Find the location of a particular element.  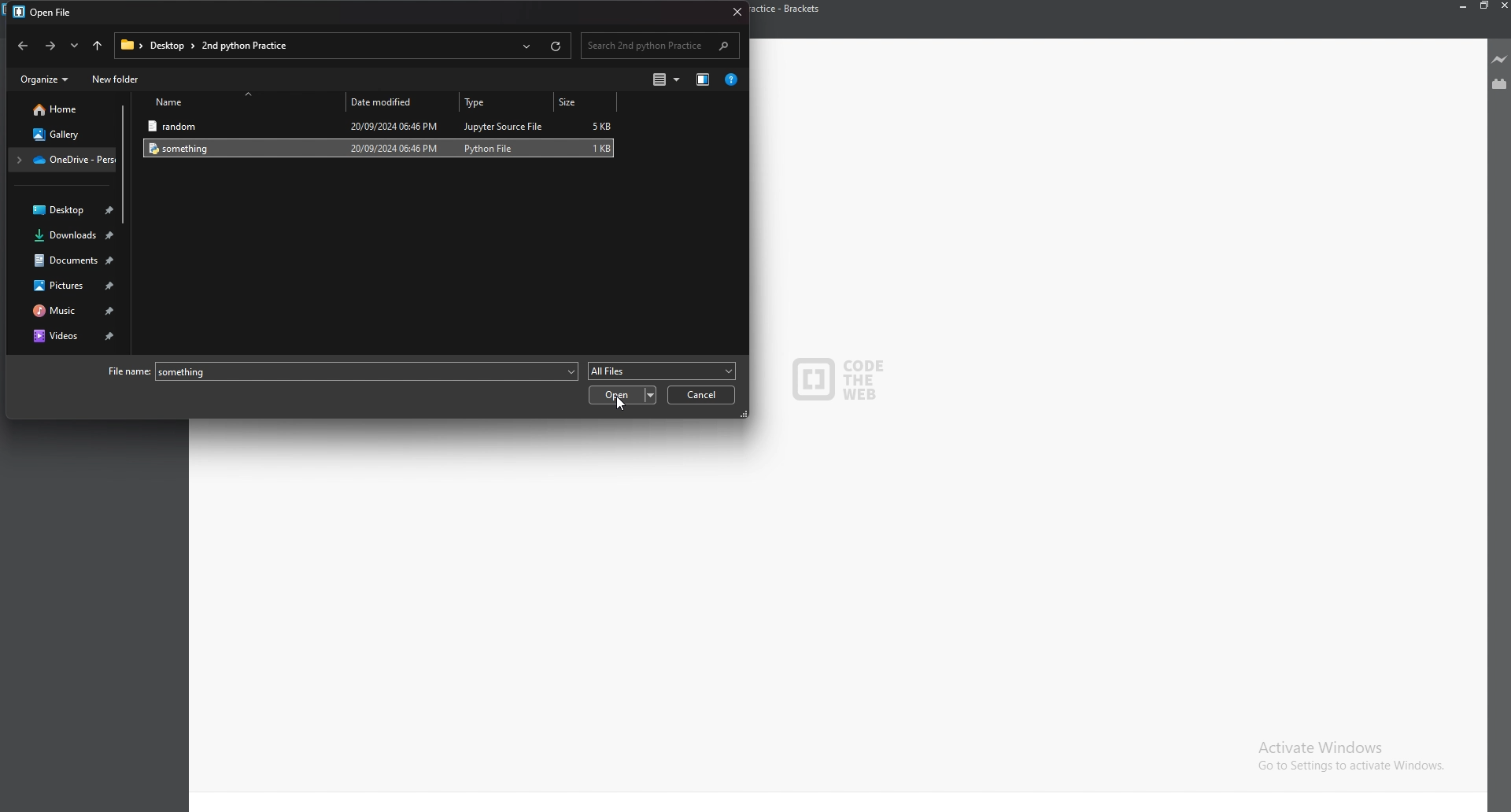

previous is located at coordinates (24, 46).